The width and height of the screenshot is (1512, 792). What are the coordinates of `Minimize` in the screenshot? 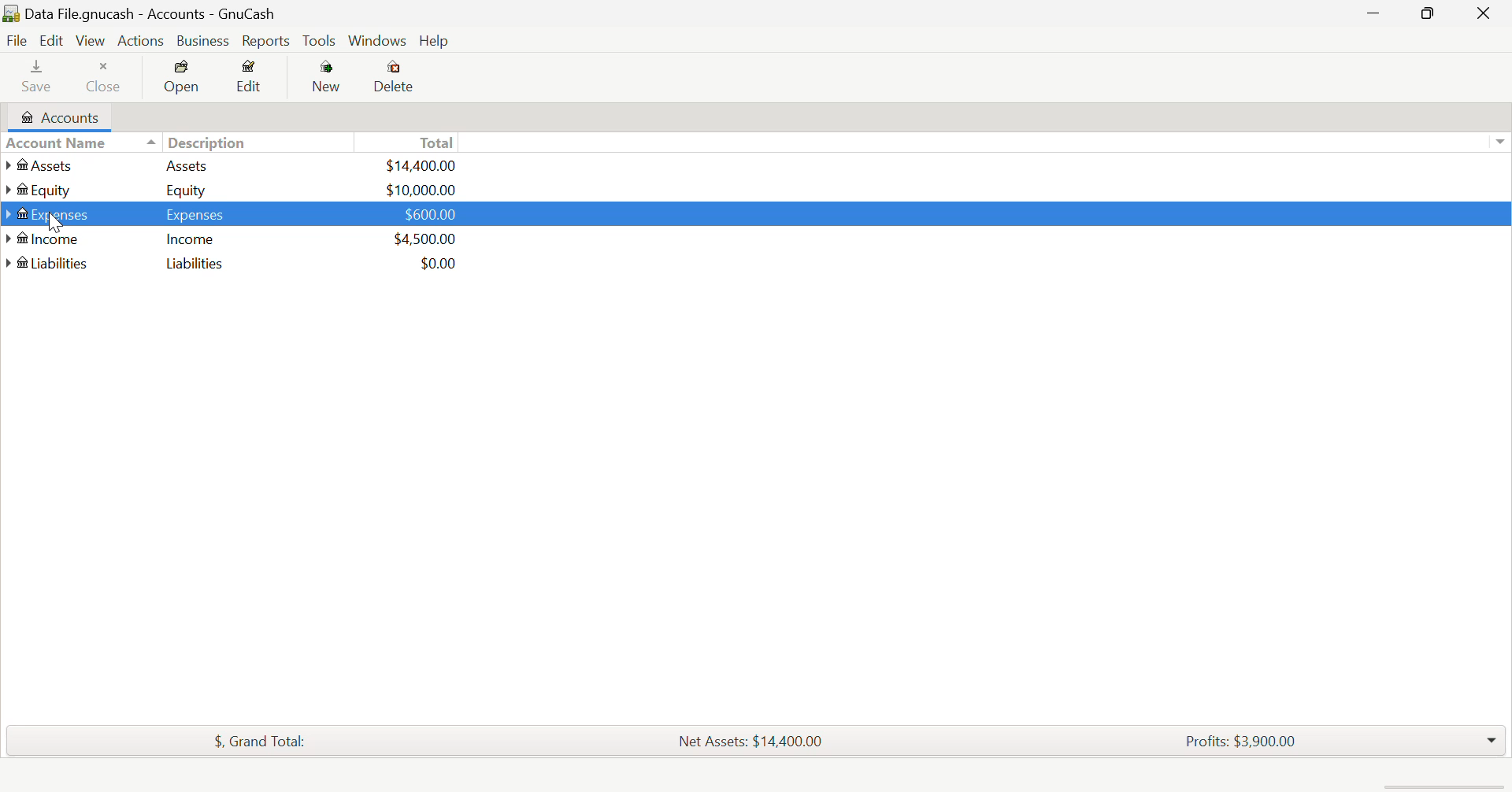 It's located at (1431, 15).